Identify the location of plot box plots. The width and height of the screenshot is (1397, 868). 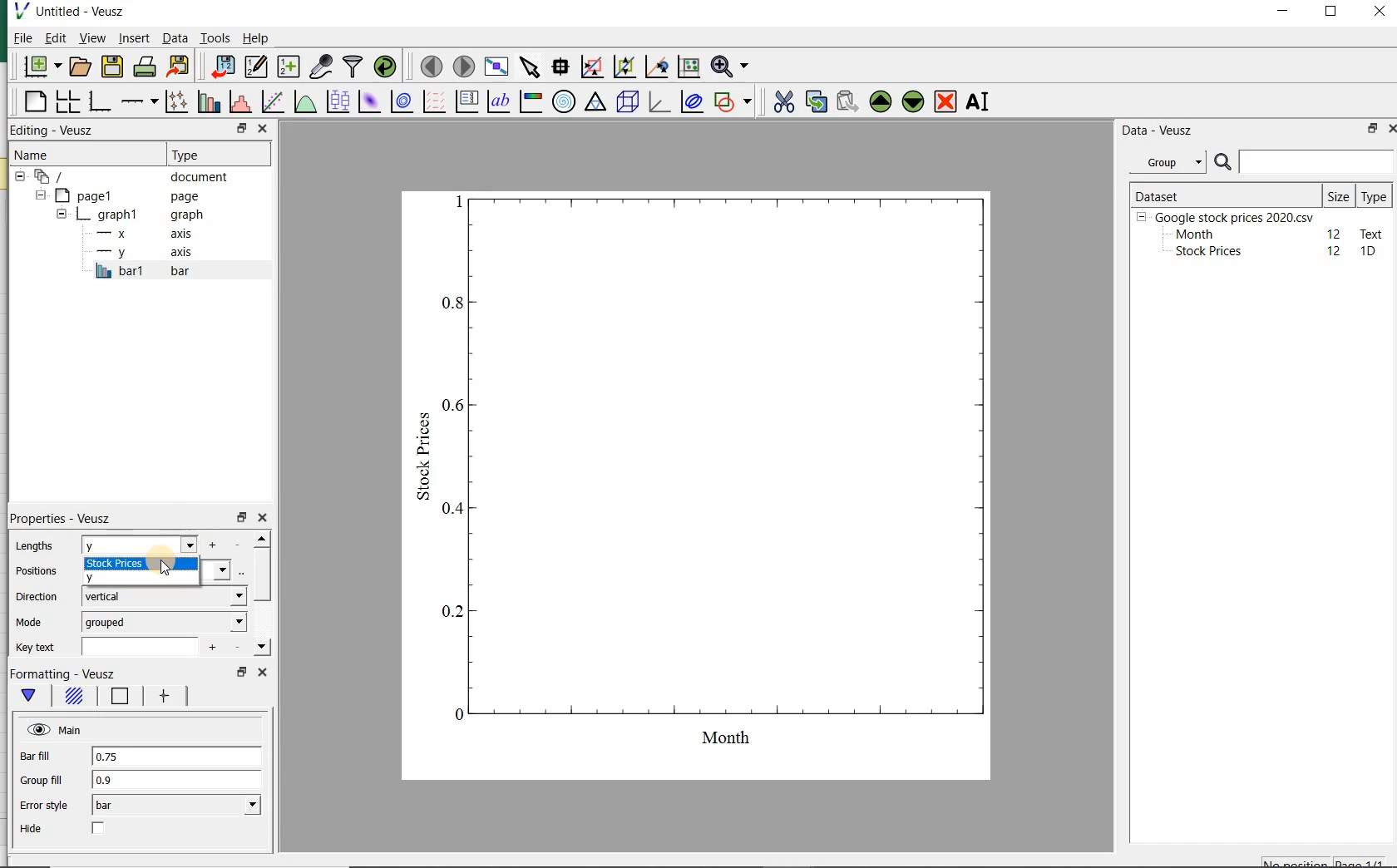
(335, 103).